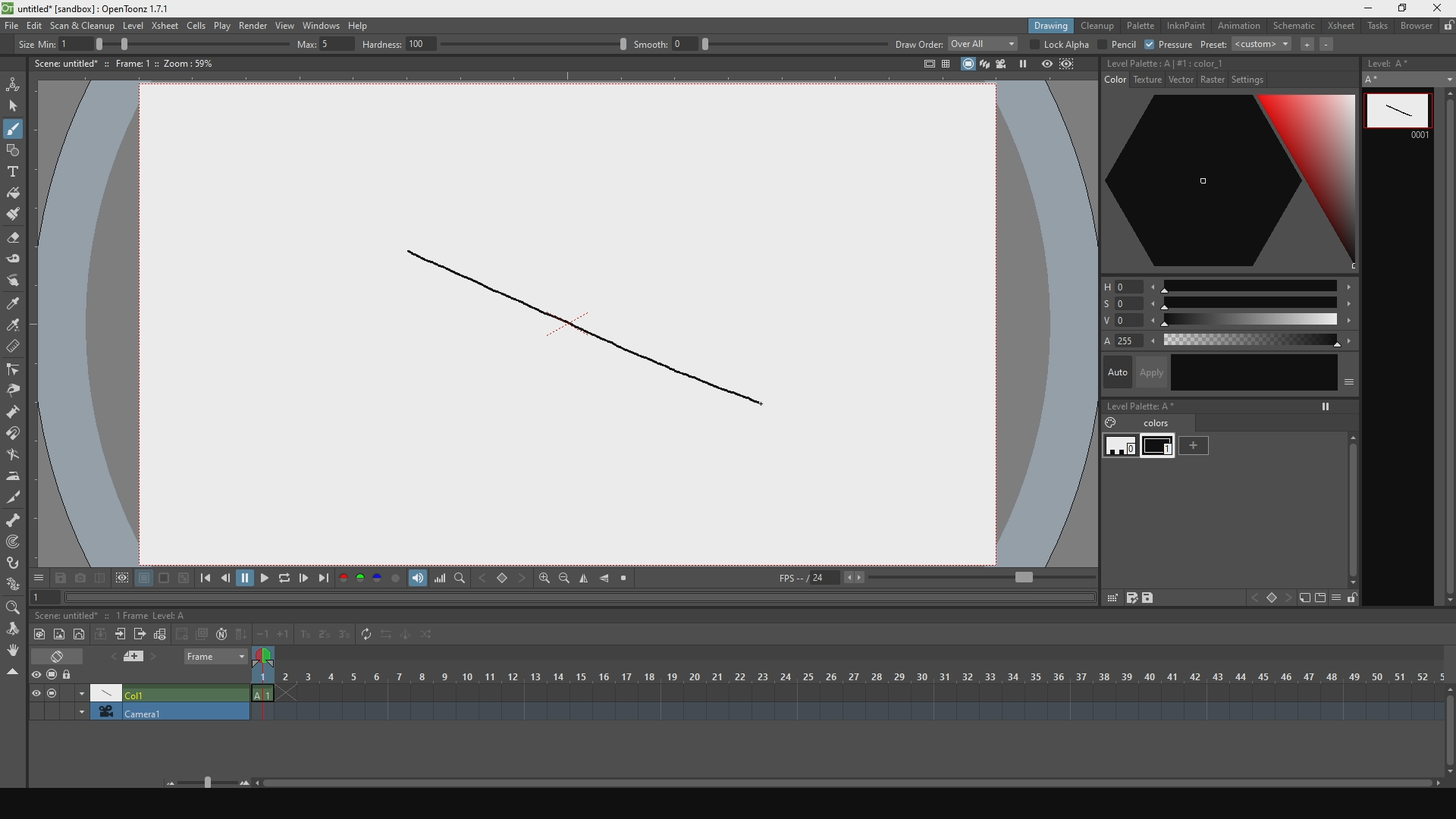  What do you see at coordinates (1447, 348) in the screenshot?
I see `scroll bar` at bounding box center [1447, 348].